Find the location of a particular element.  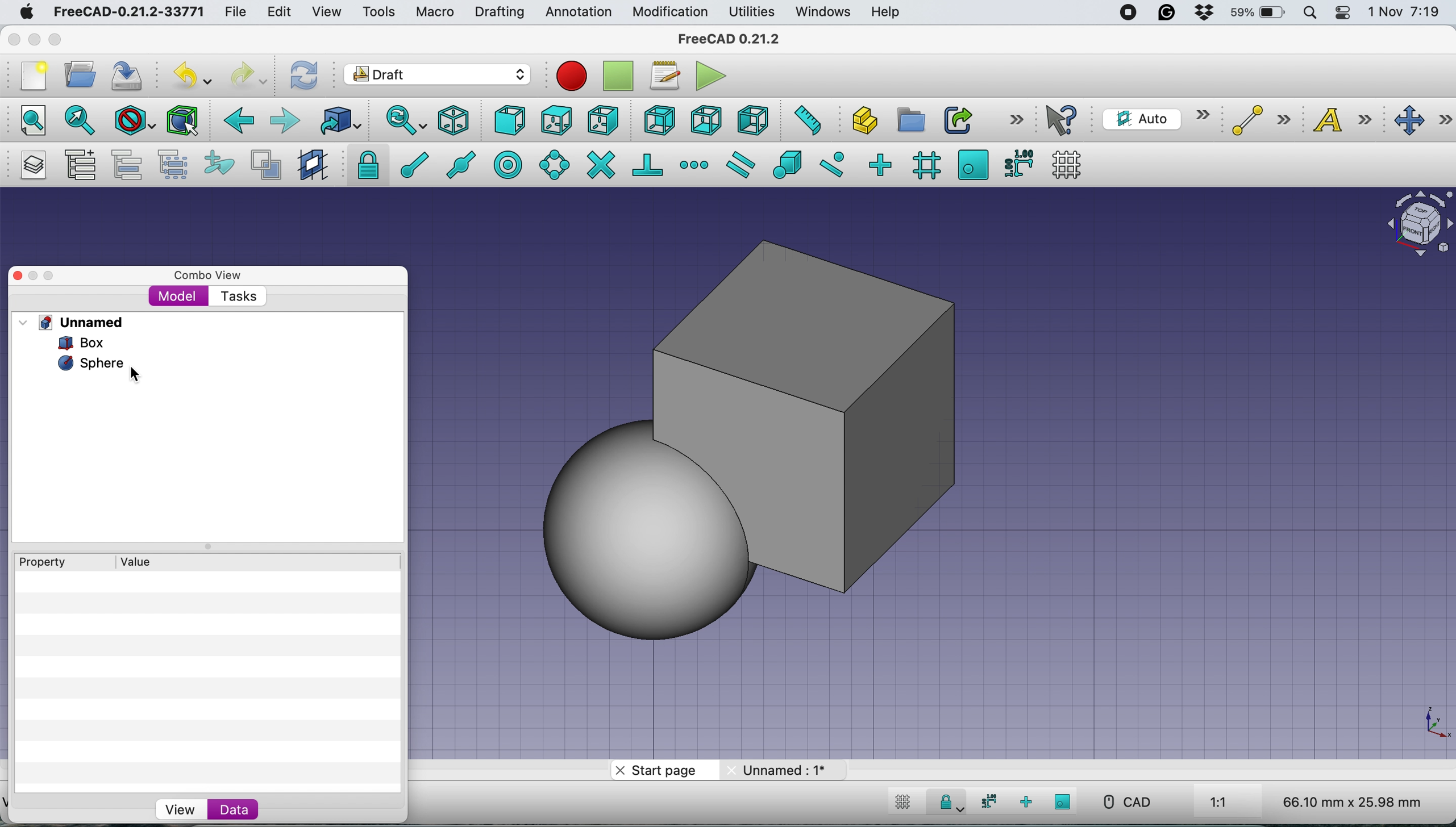

move group is located at coordinates (130, 165).